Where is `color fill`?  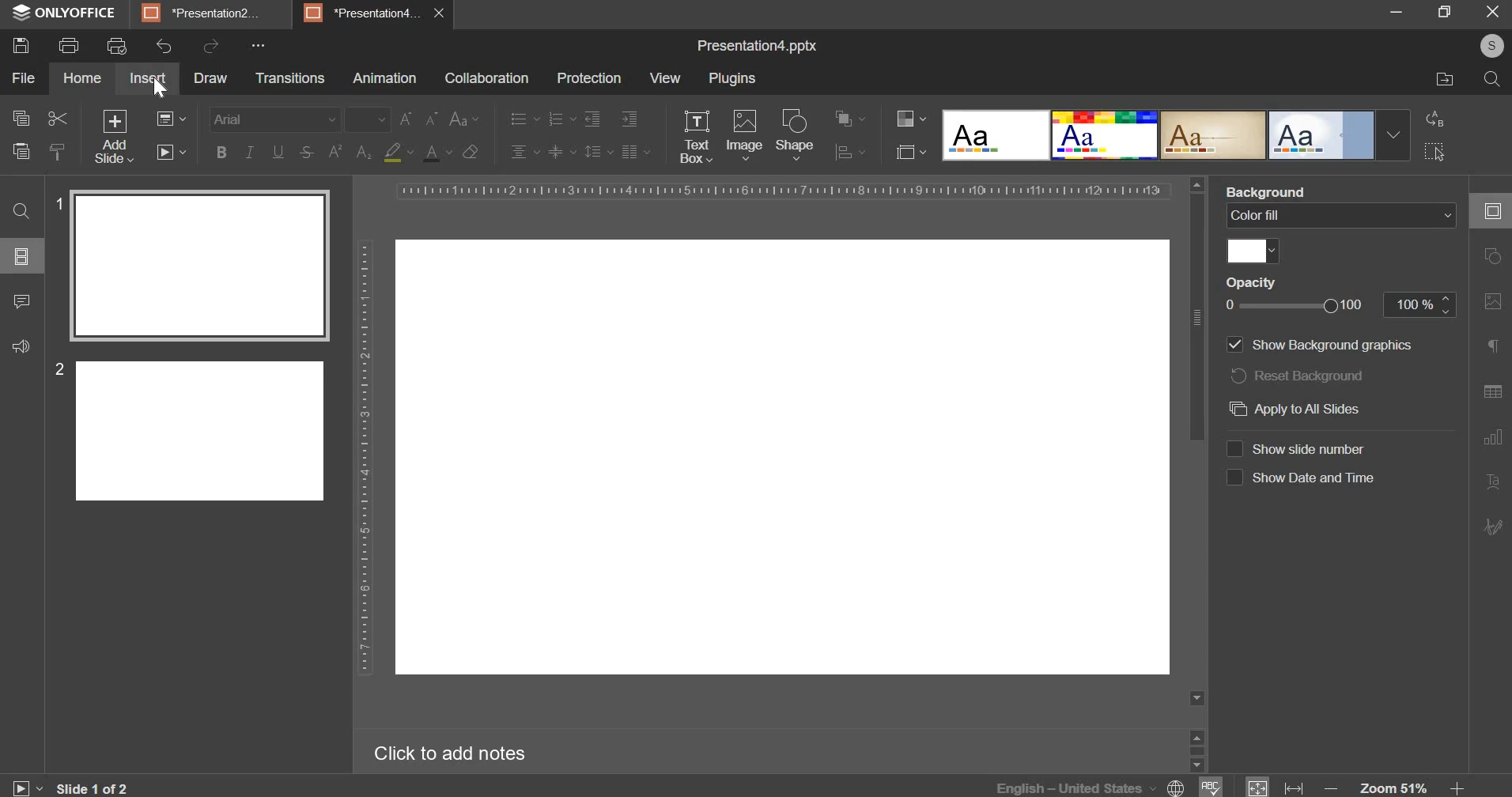 color fill is located at coordinates (1248, 249).